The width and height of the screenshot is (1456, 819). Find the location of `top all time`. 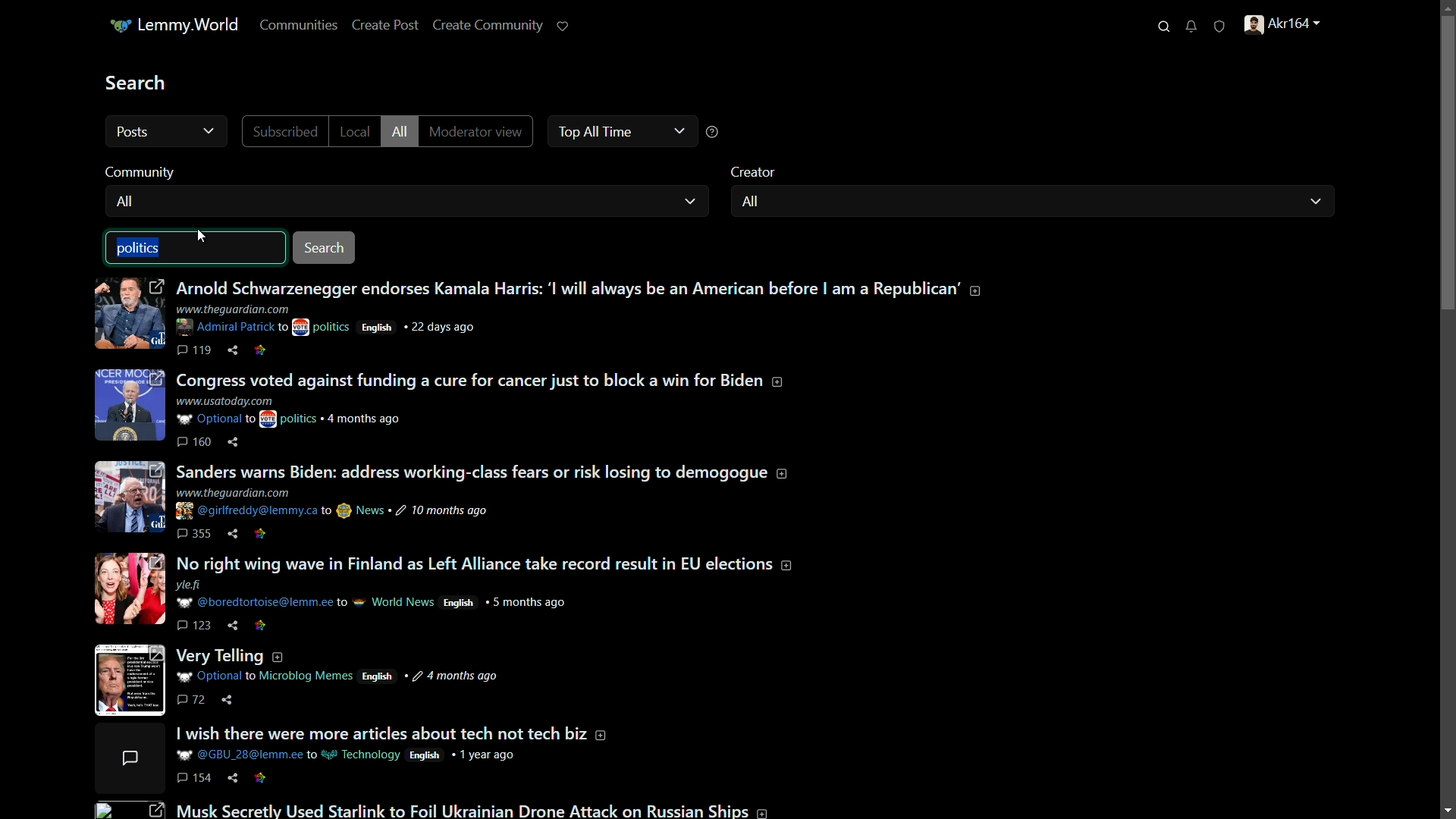

top all time is located at coordinates (600, 130).